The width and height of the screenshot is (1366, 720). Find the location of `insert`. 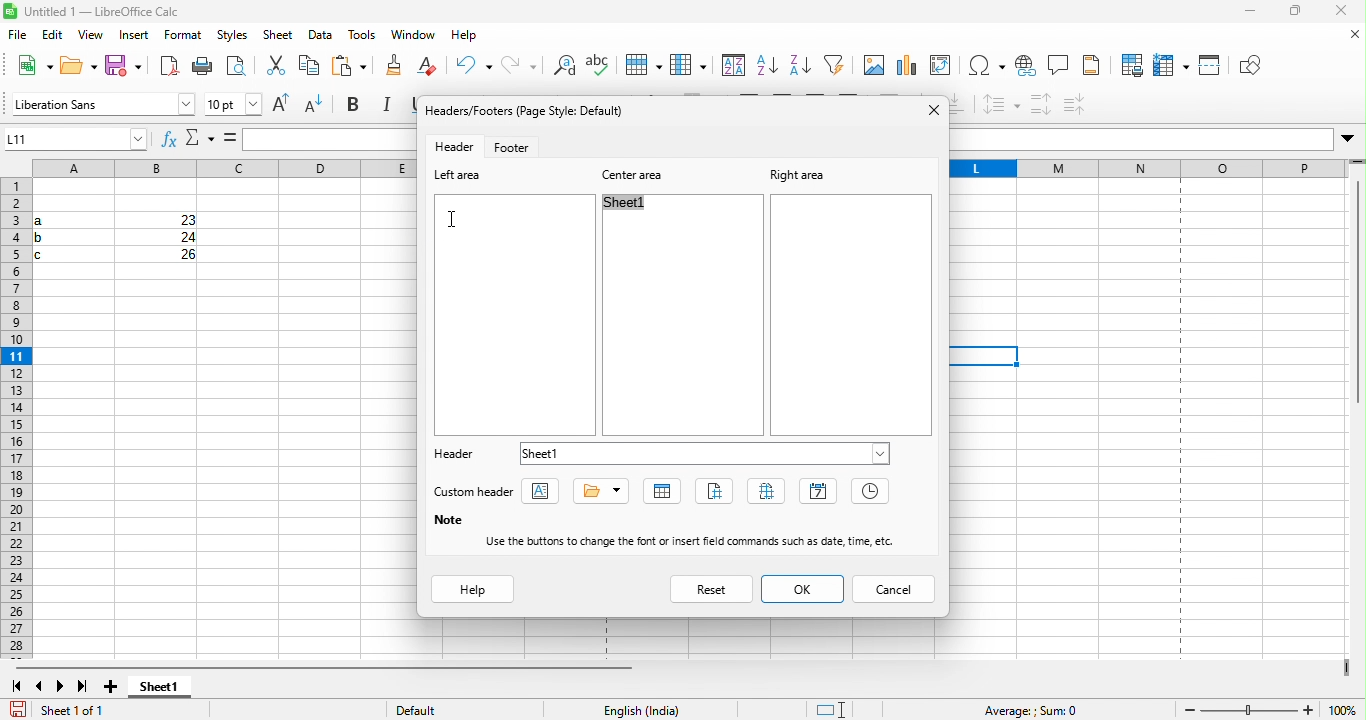

insert is located at coordinates (132, 39).